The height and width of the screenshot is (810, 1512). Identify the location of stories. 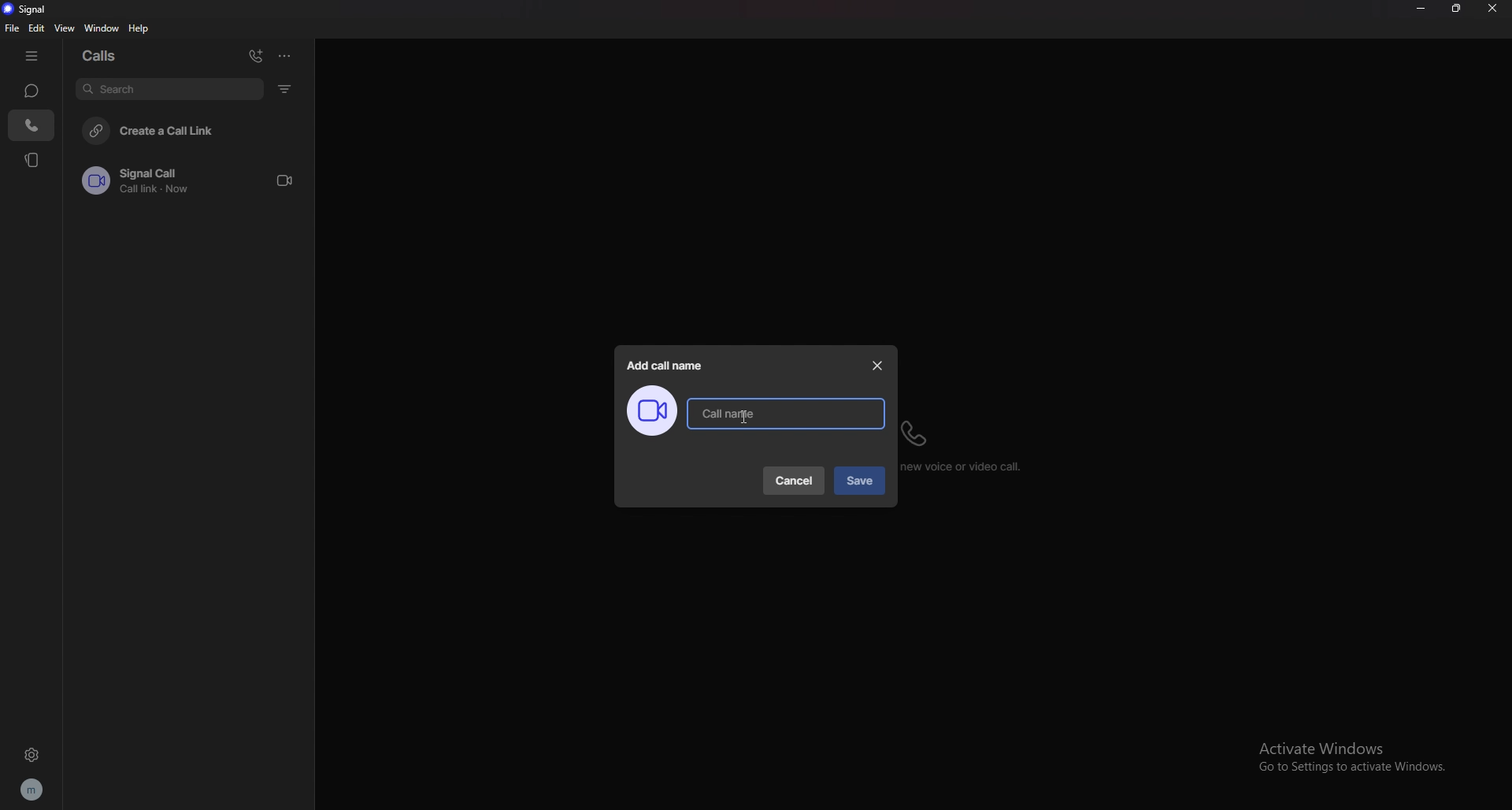
(33, 159).